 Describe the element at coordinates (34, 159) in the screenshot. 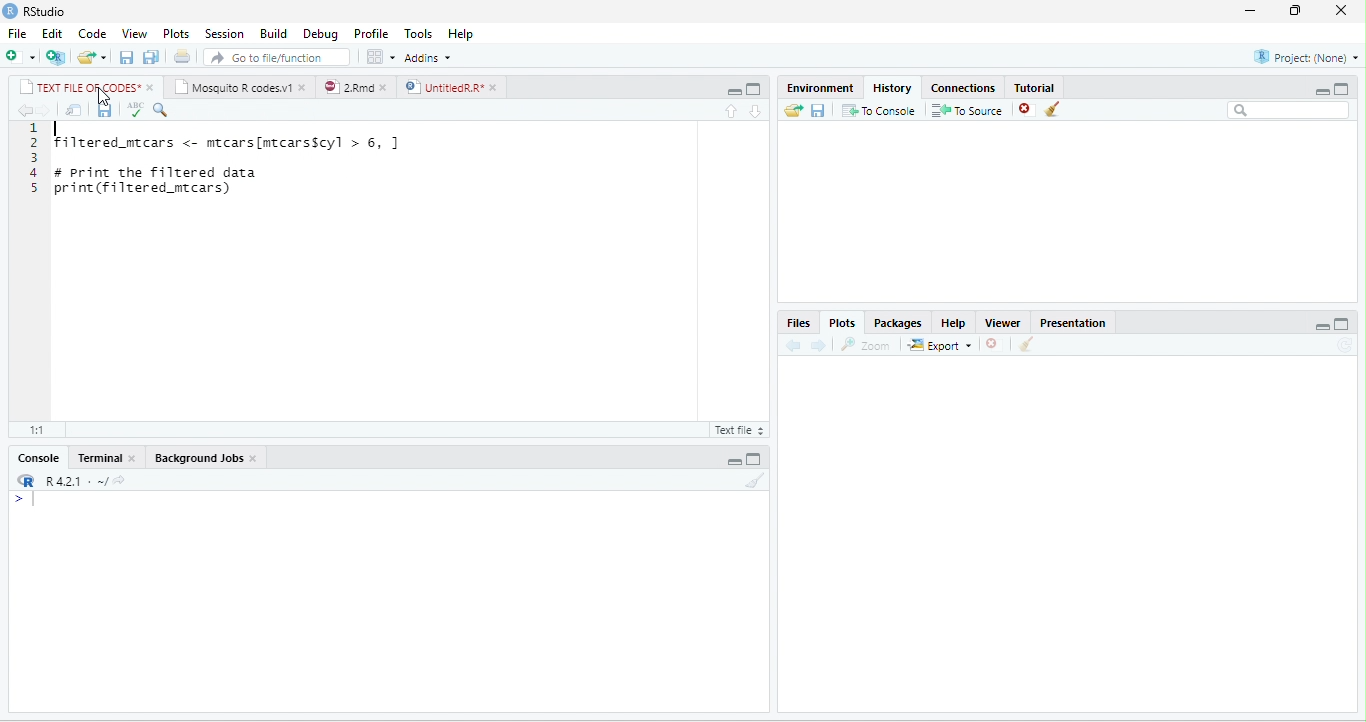

I see `line numbering` at that location.